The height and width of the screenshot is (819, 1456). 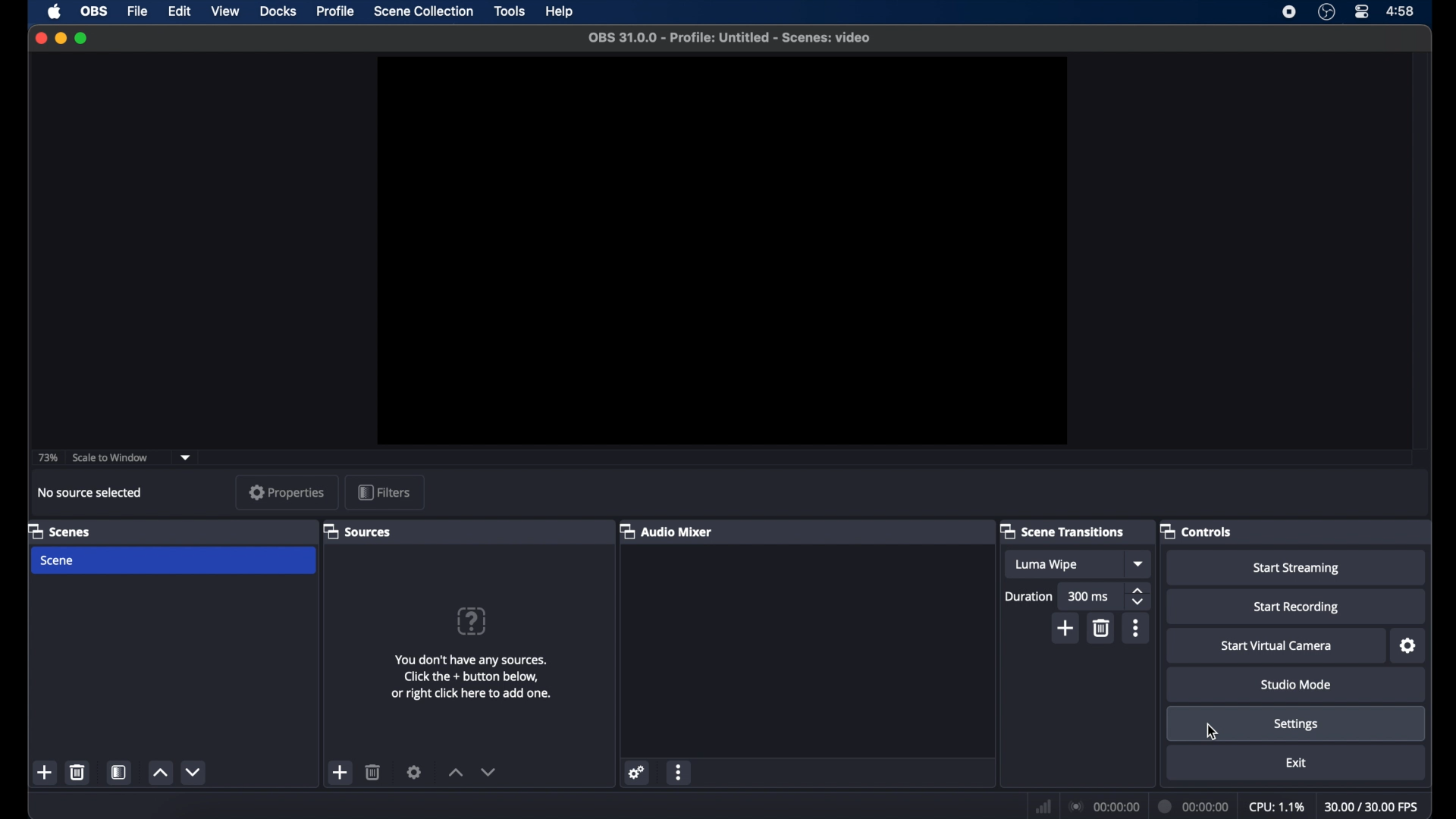 I want to click on help, so click(x=560, y=11).